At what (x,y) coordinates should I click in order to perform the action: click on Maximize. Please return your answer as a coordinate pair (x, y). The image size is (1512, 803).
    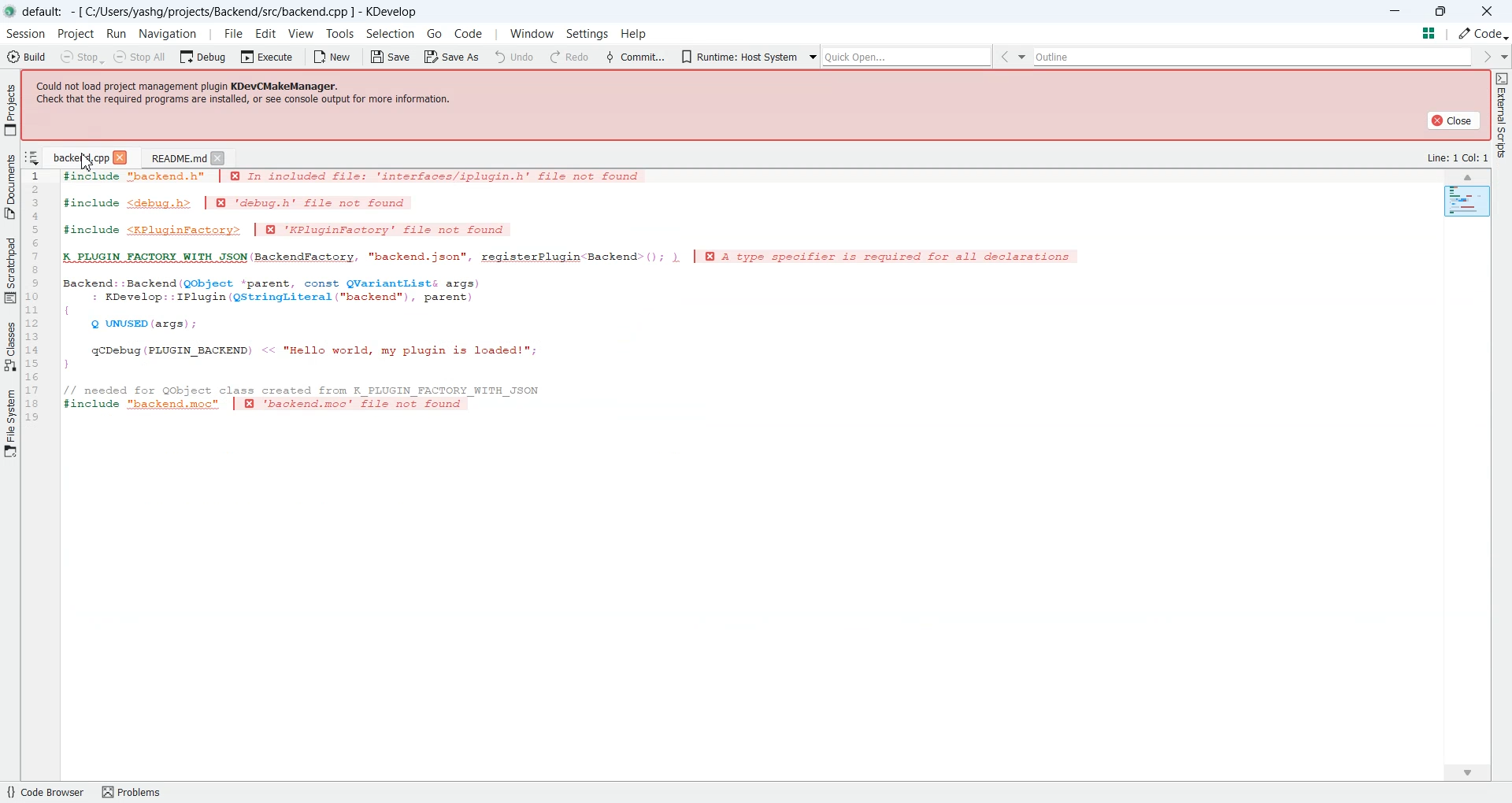
    Looking at the image, I should click on (1442, 9).